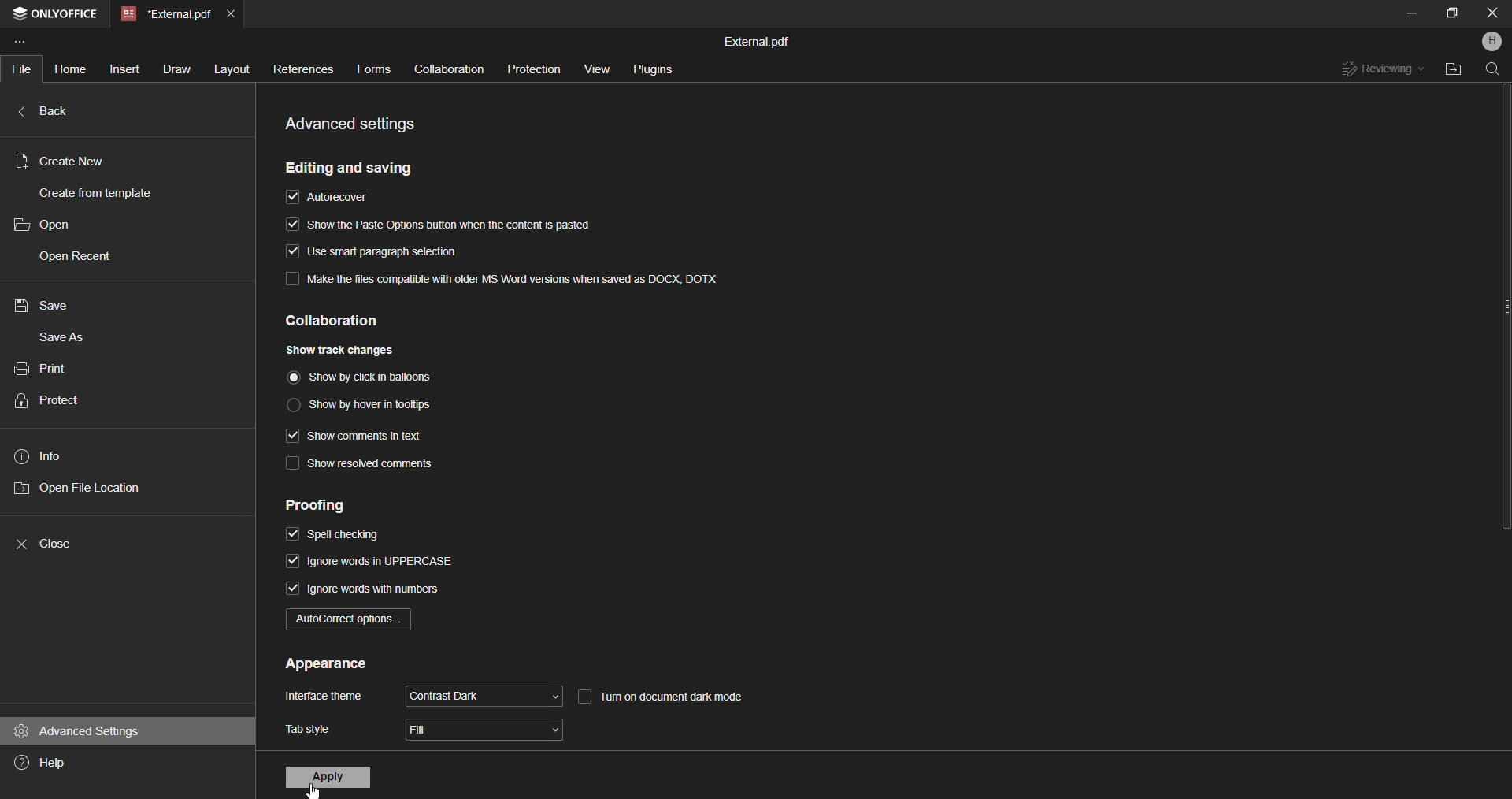 This screenshot has height=799, width=1512. Describe the element at coordinates (46, 366) in the screenshot. I see `print` at that location.